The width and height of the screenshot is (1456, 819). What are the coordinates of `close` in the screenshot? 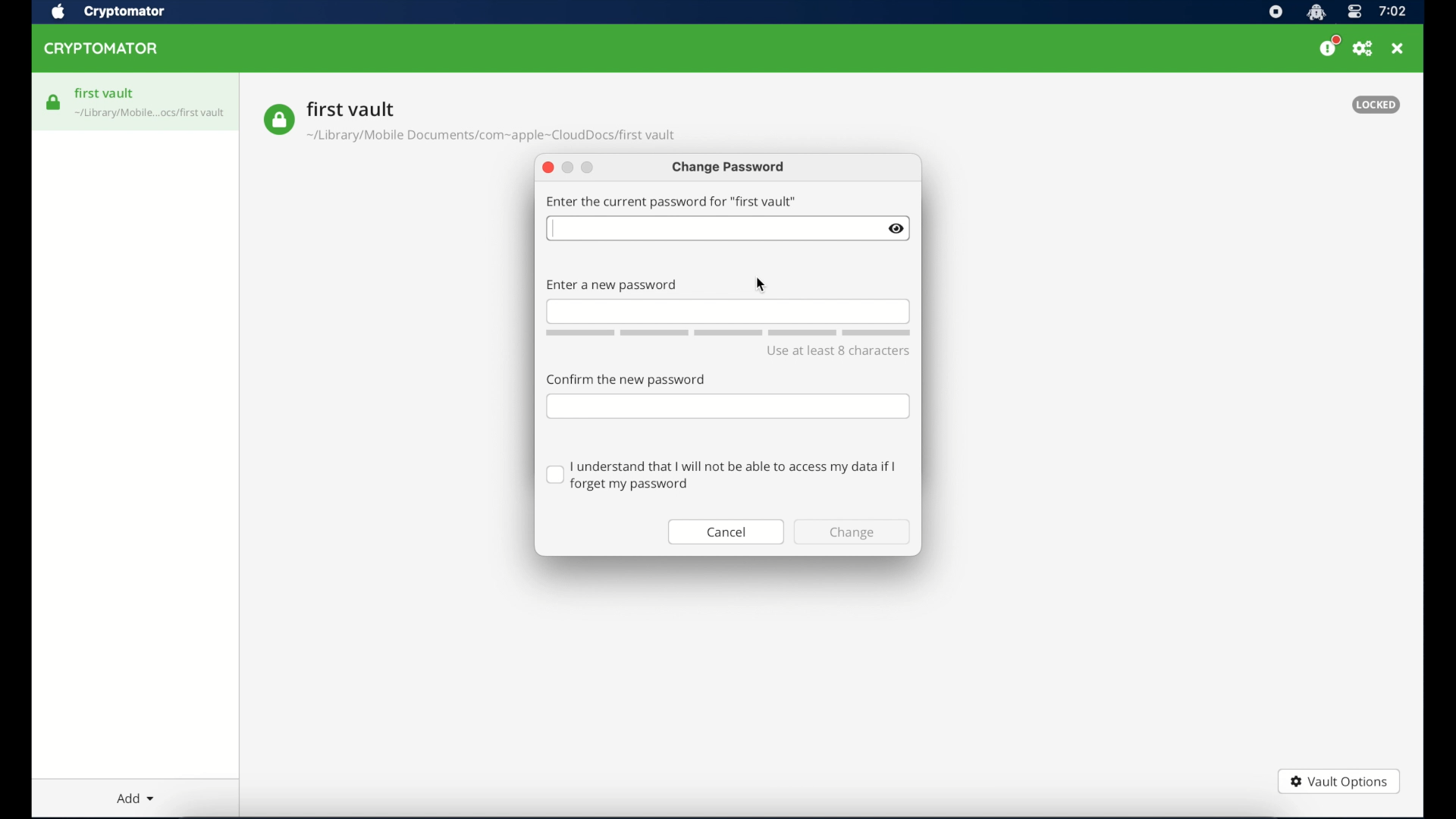 It's located at (548, 168).